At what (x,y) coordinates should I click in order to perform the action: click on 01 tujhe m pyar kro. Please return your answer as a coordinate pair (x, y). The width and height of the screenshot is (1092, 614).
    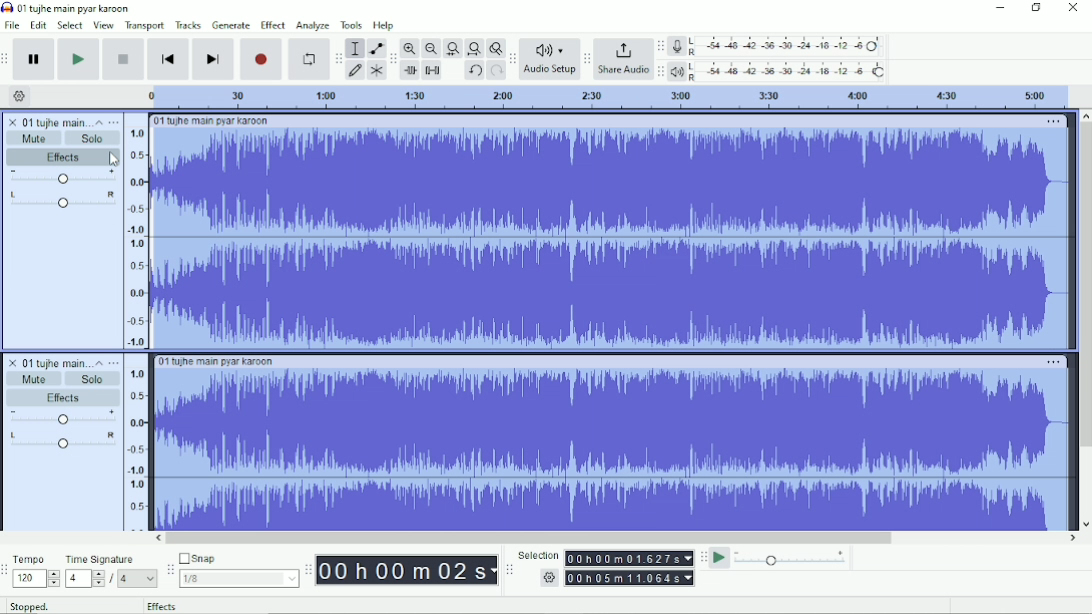
    Looking at the image, I should click on (55, 120).